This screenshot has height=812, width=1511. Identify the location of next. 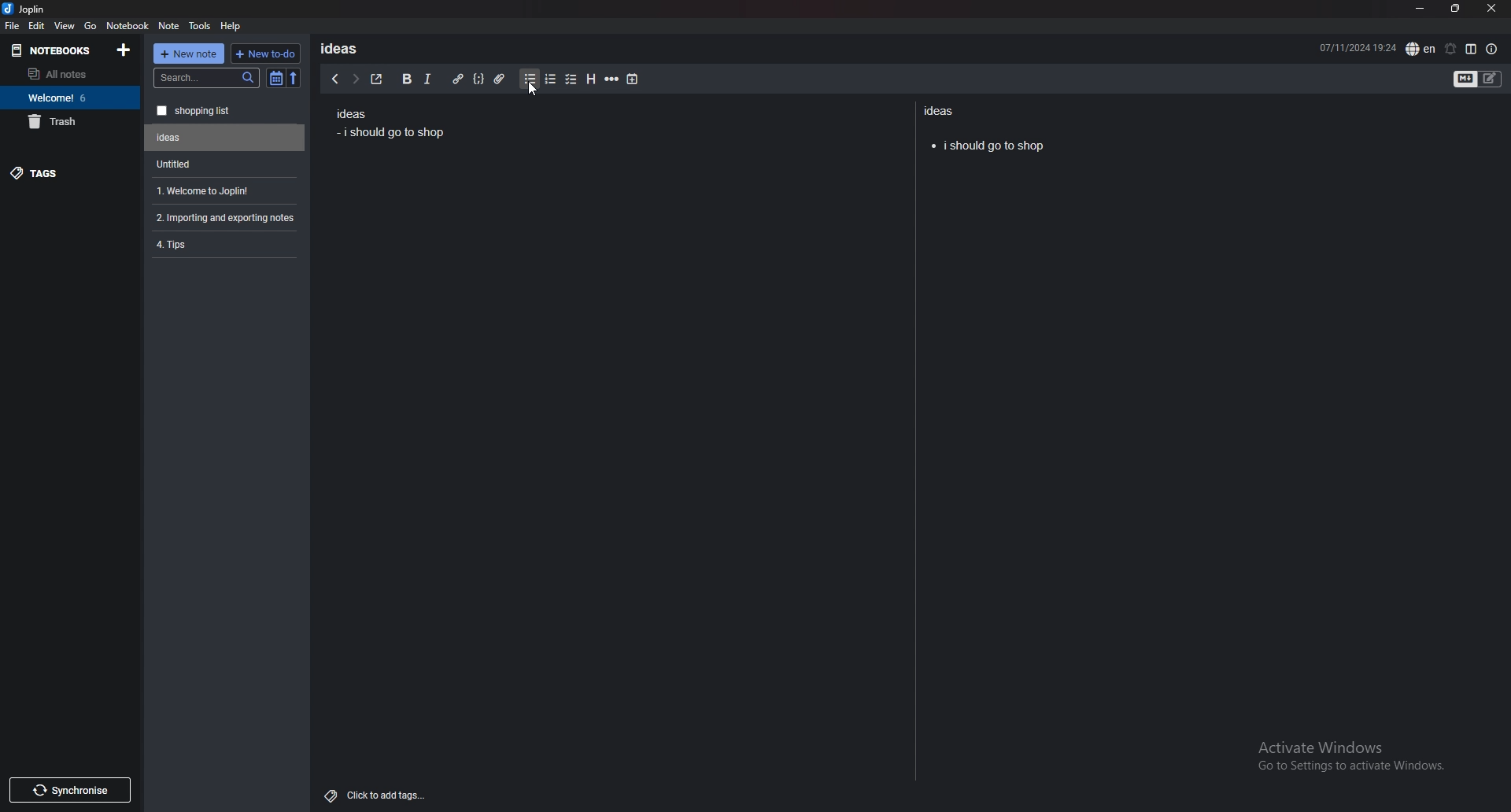
(355, 79).